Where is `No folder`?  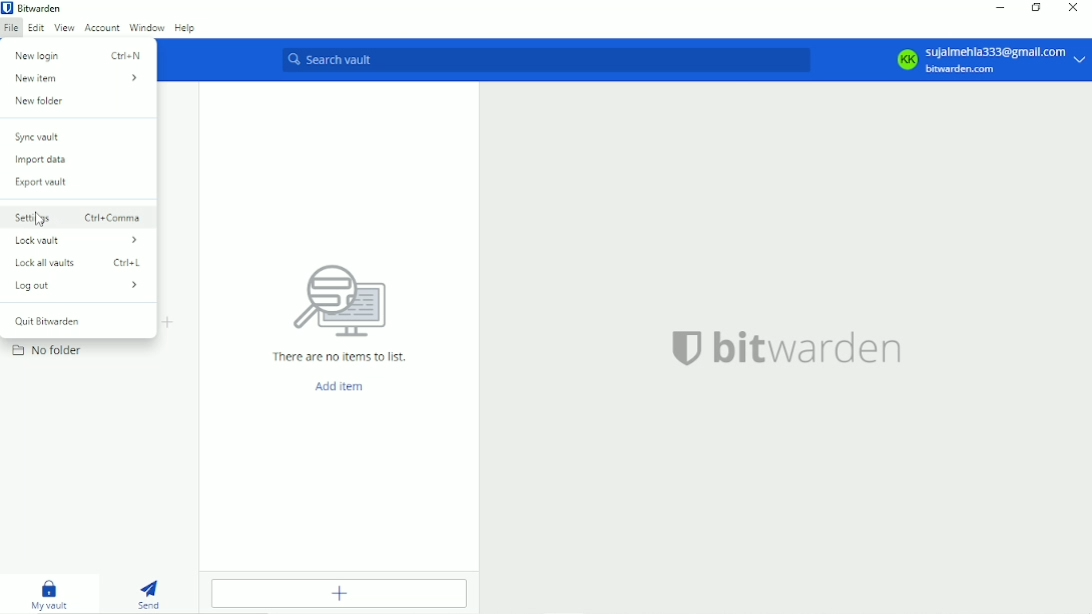
No folder is located at coordinates (49, 349).